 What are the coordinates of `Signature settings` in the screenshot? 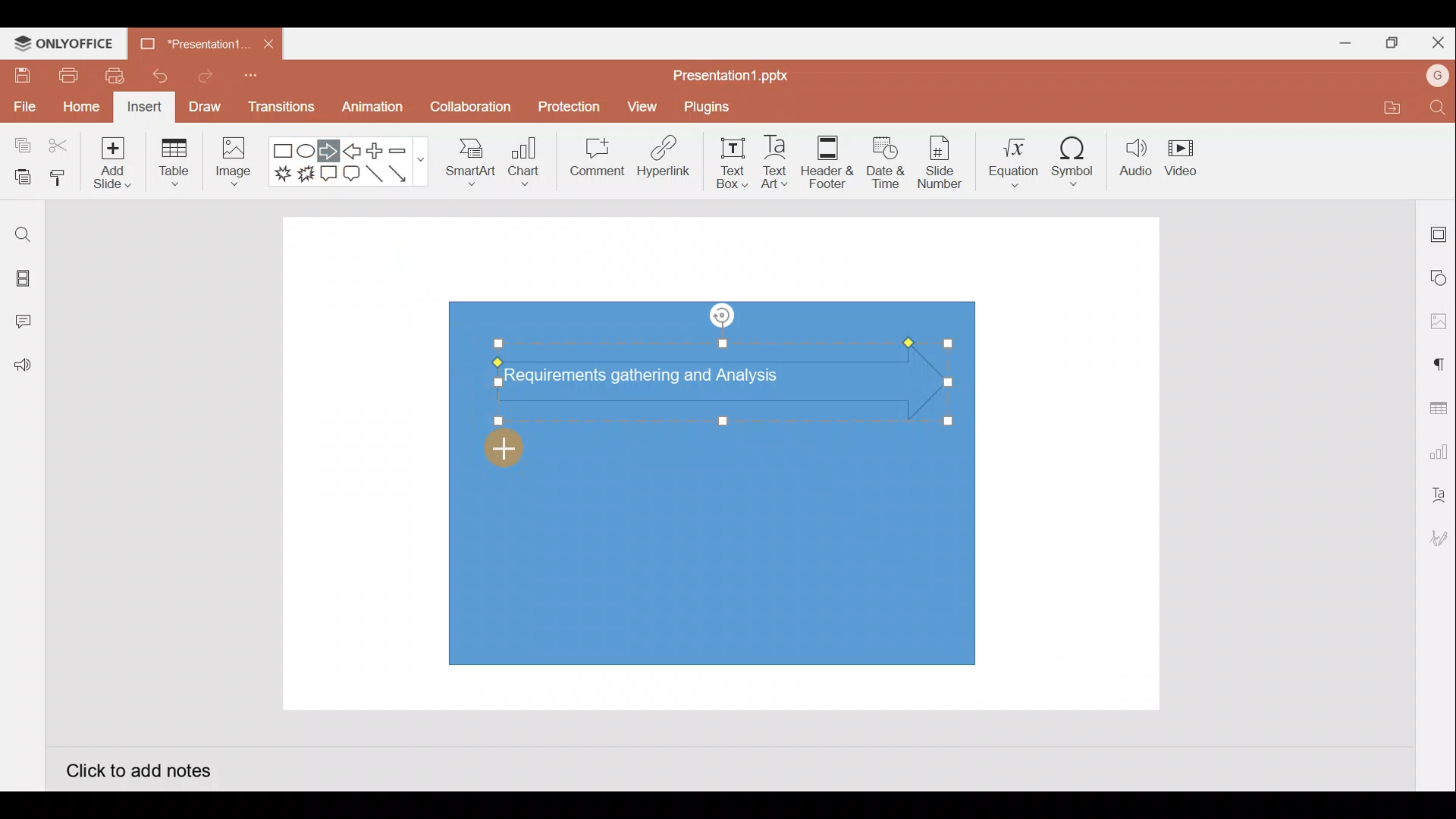 It's located at (1436, 540).